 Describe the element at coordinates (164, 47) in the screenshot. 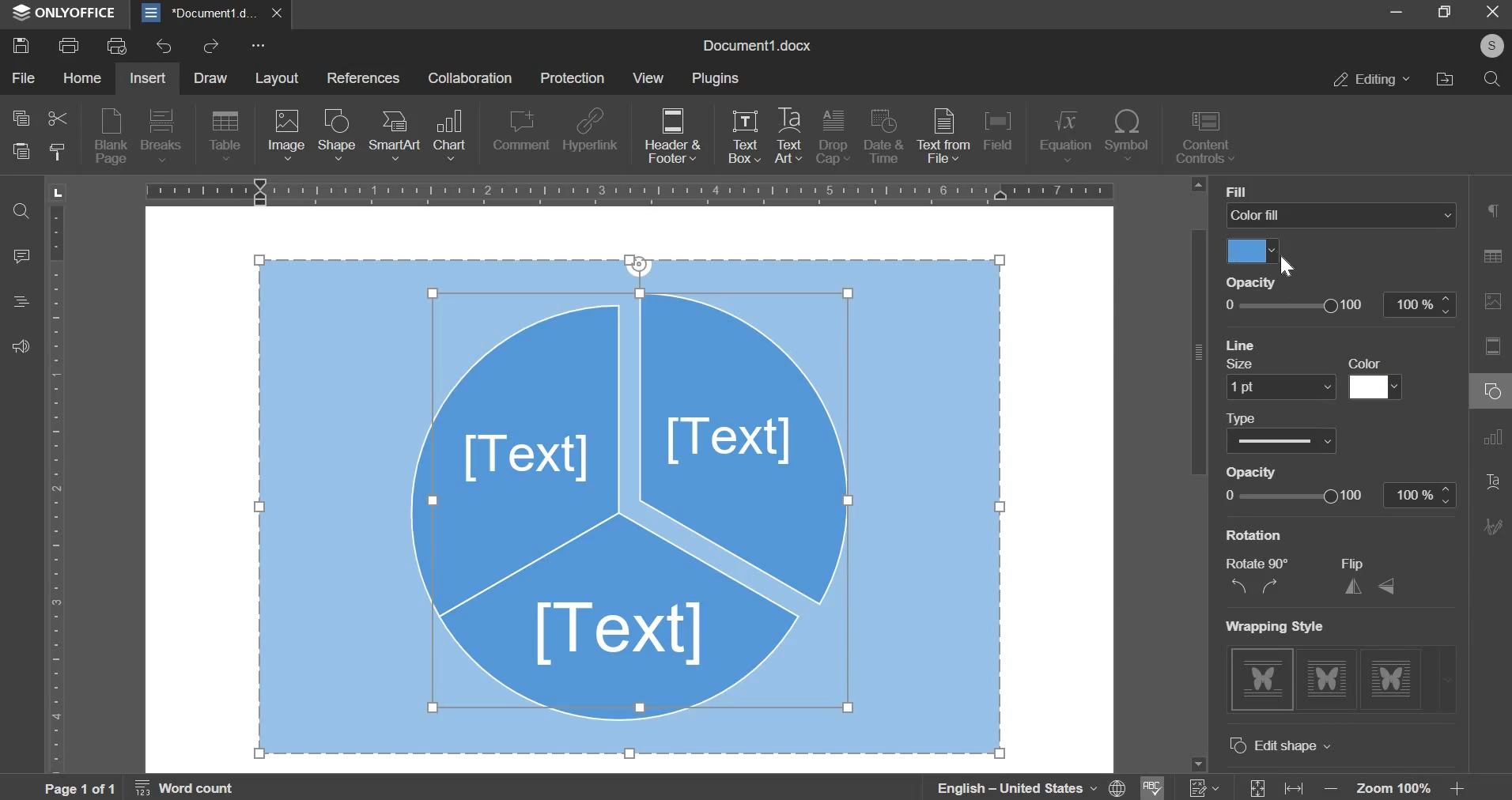

I see `undo` at that location.